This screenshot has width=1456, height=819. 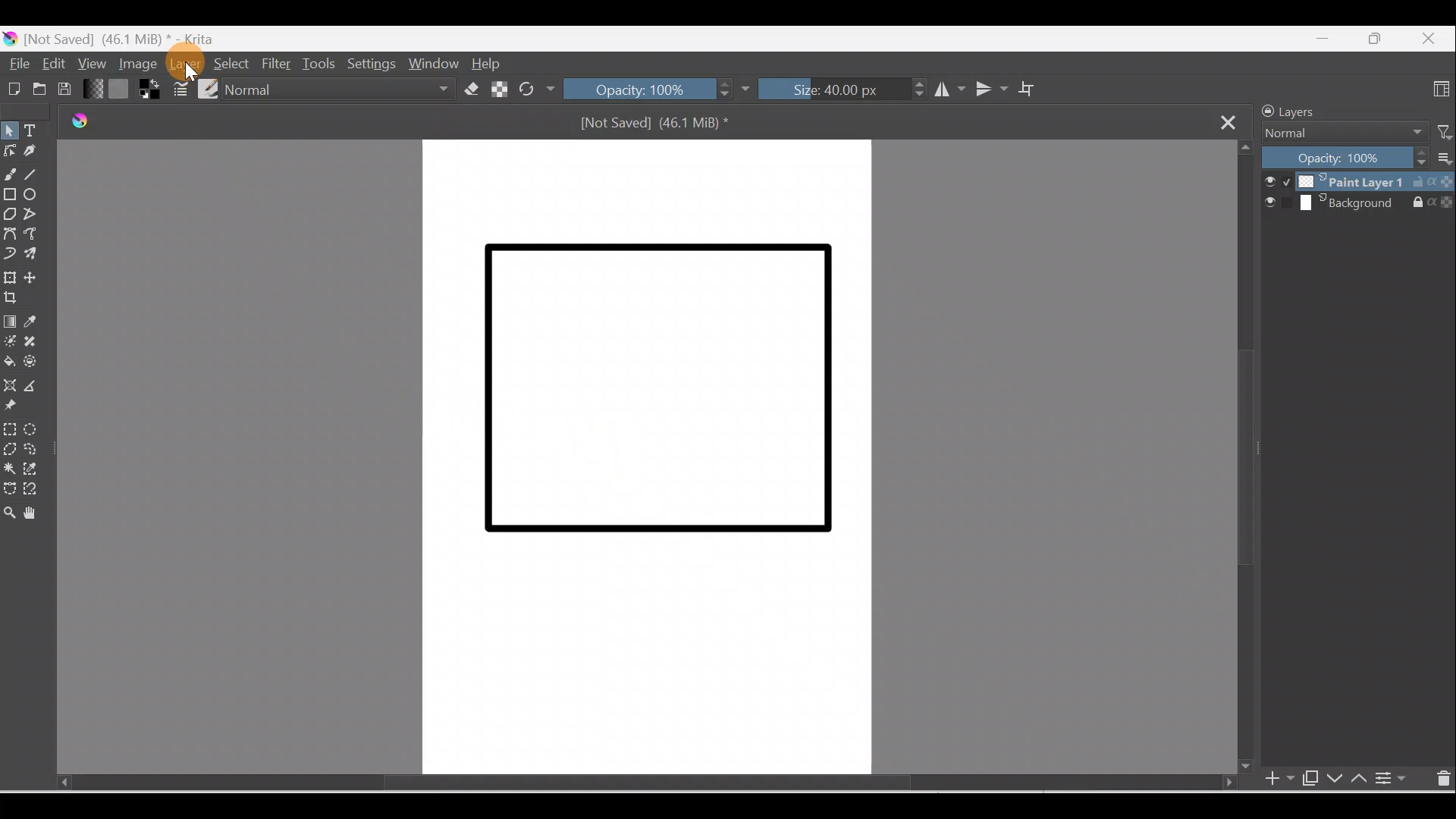 I want to click on Edit, so click(x=51, y=62).